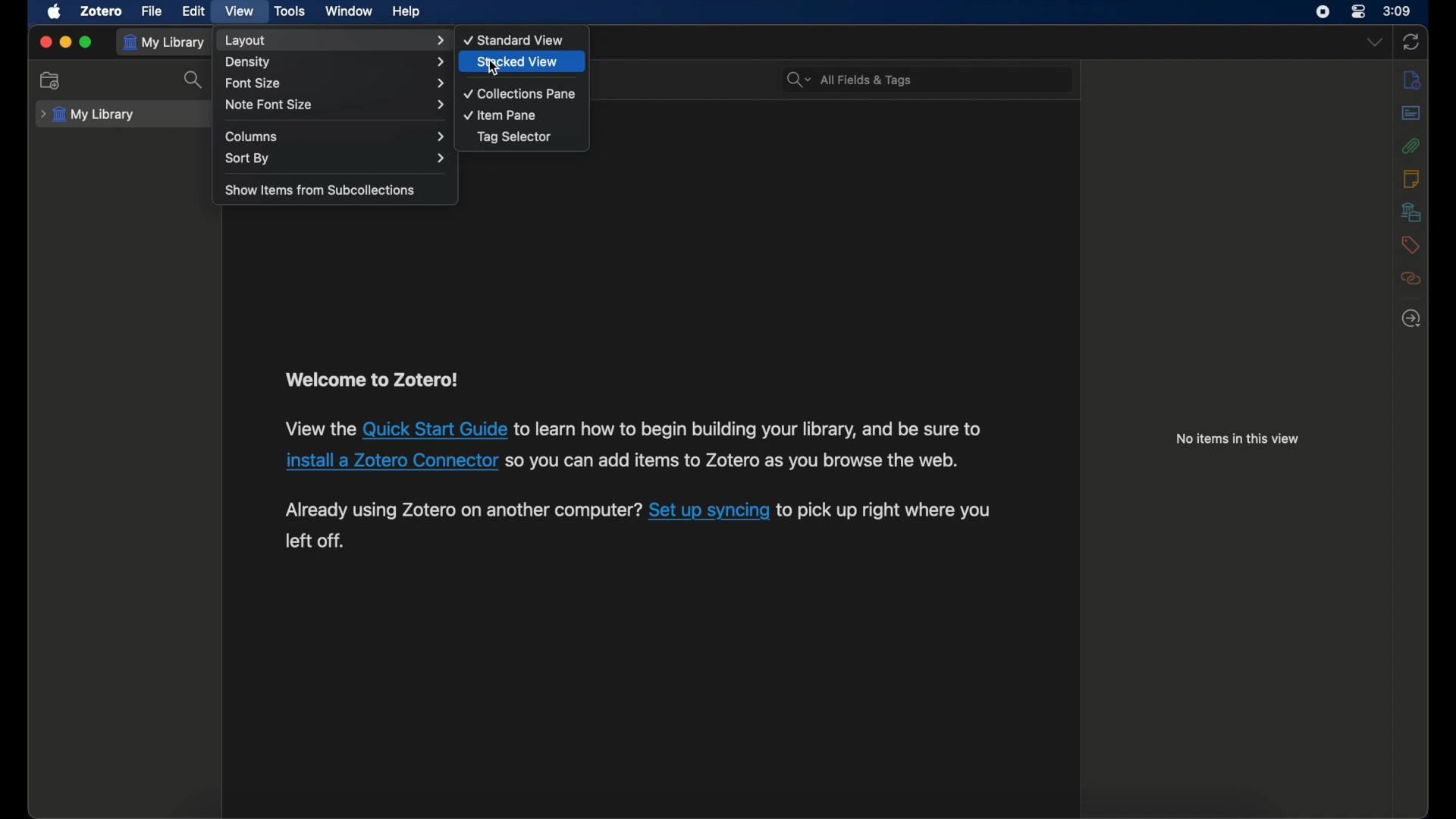 This screenshot has height=819, width=1456. I want to click on font size, so click(334, 83).